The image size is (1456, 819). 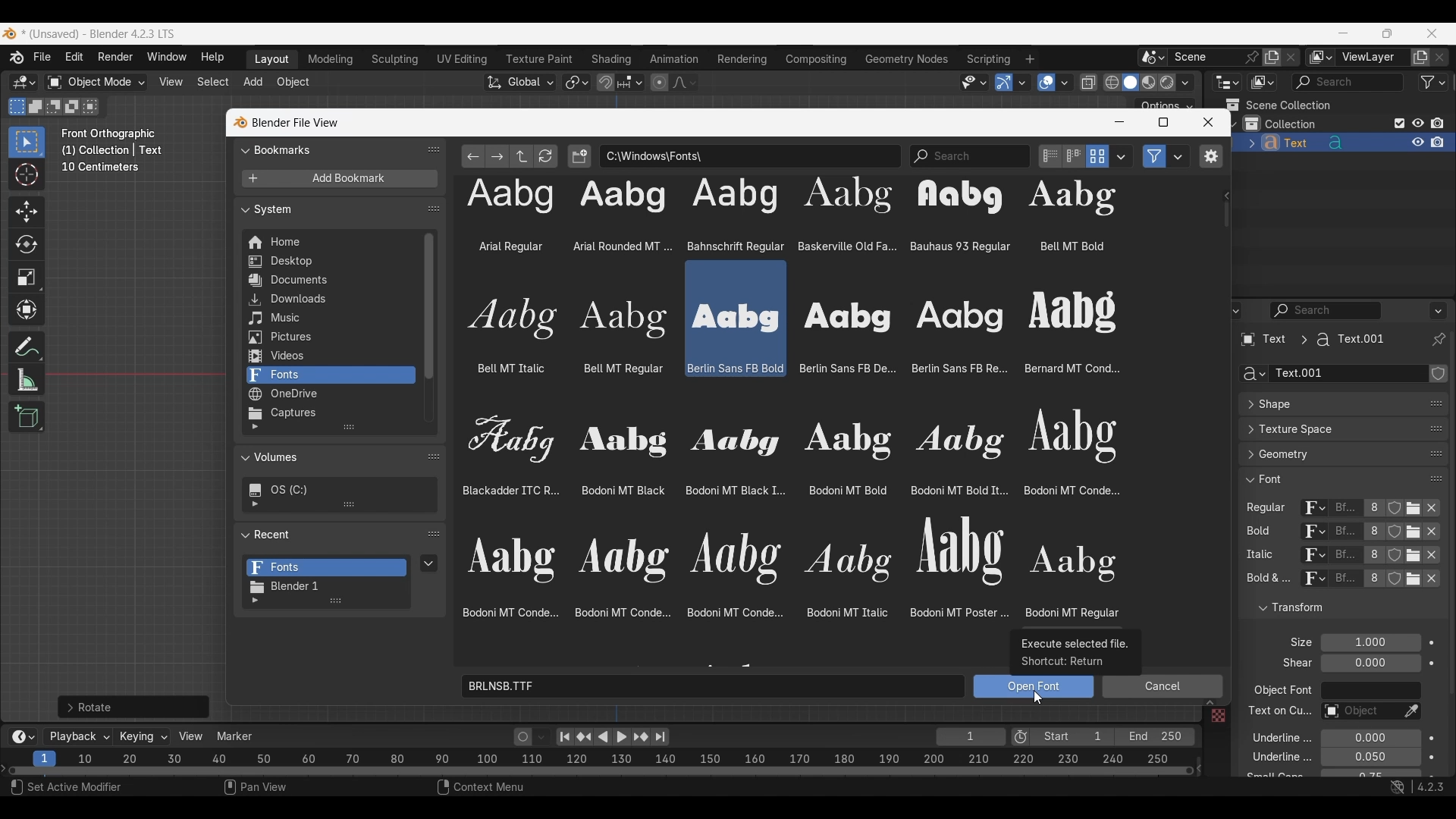 I want to click on Toggle region, so click(x=1210, y=156).